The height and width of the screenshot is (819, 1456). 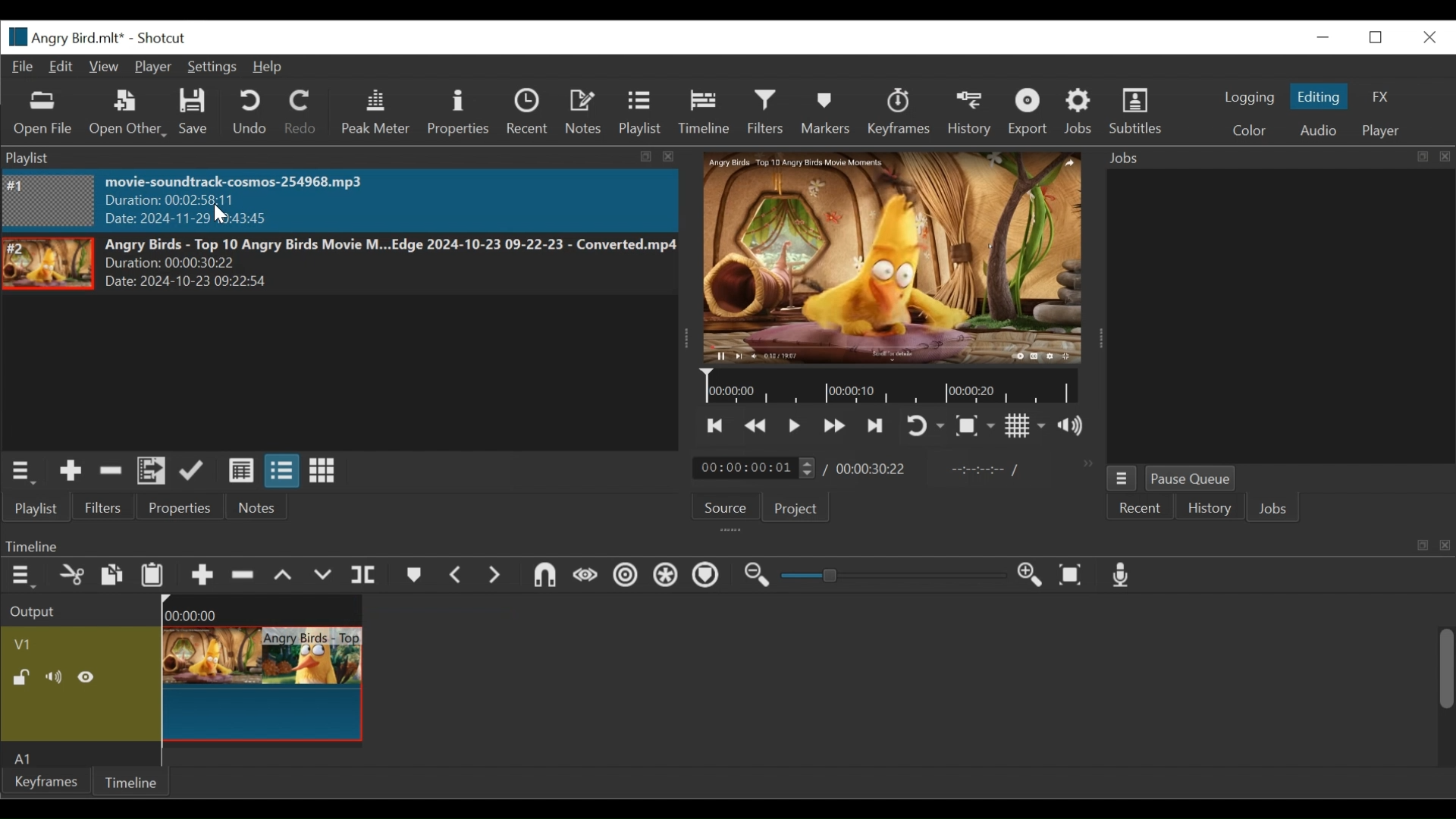 I want to click on Image, so click(x=49, y=200).